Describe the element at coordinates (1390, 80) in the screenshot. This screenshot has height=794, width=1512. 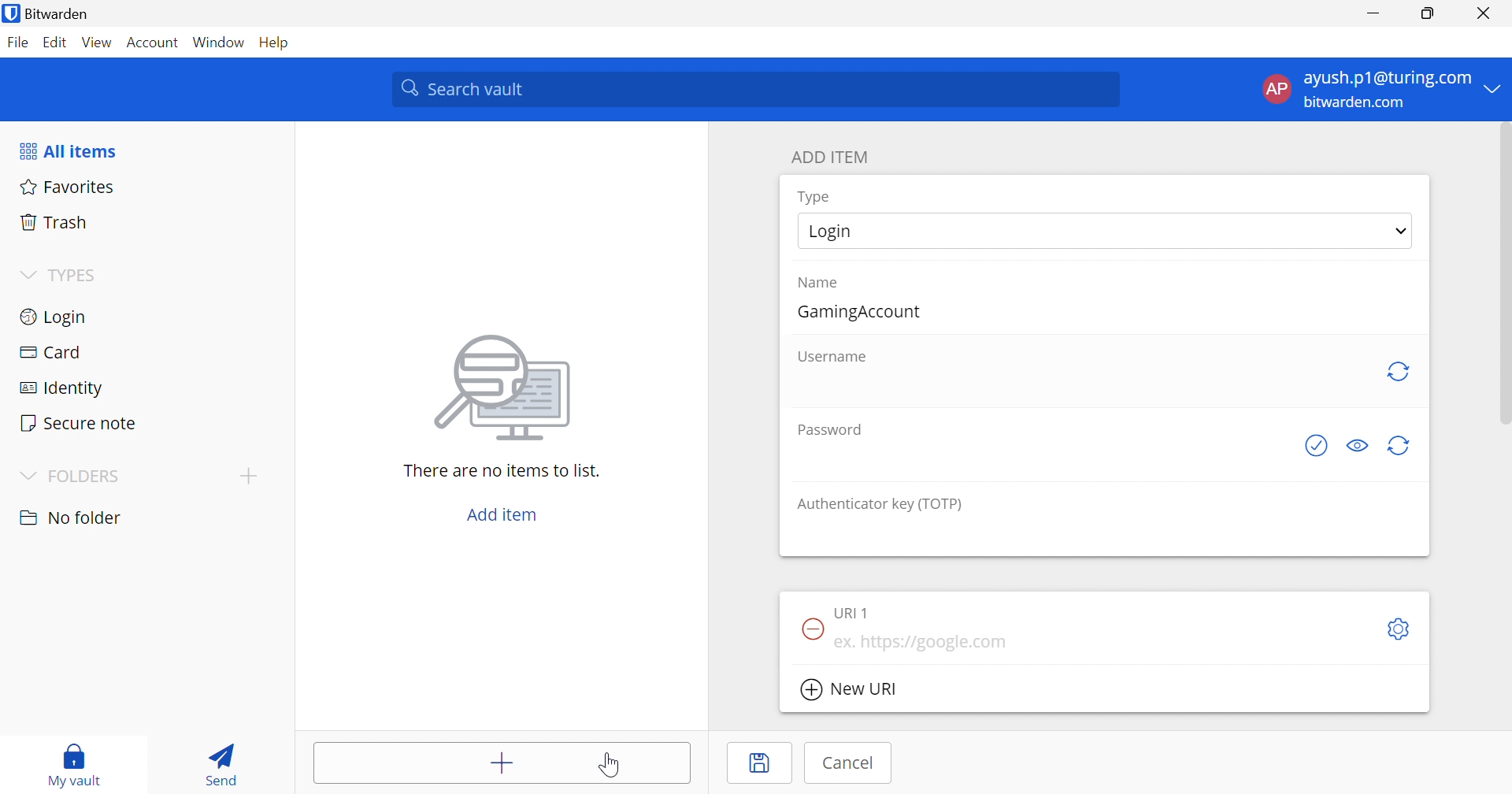
I see `ayush.p1@turing.com` at that location.